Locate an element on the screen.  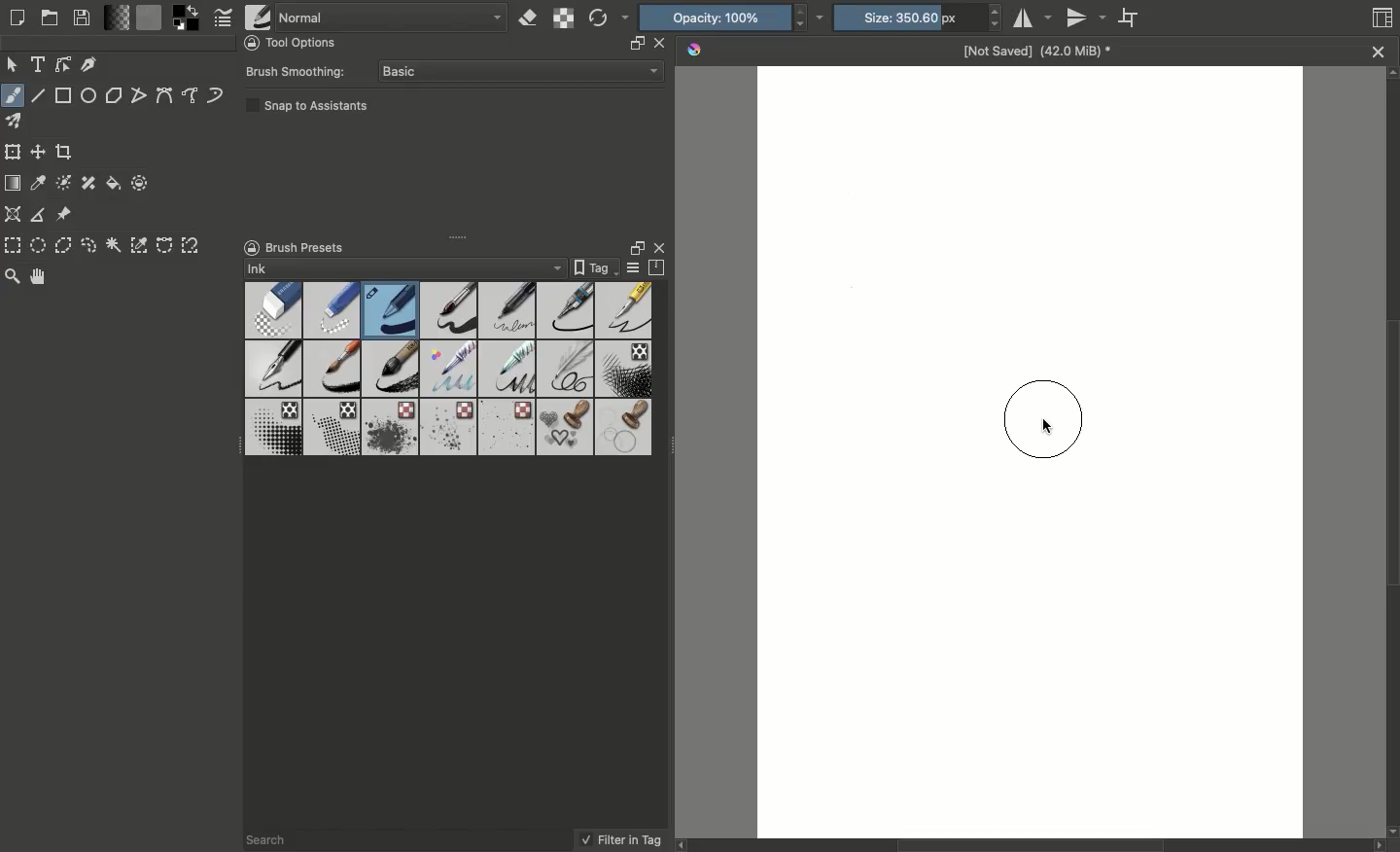
Reference images is located at coordinates (65, 215).